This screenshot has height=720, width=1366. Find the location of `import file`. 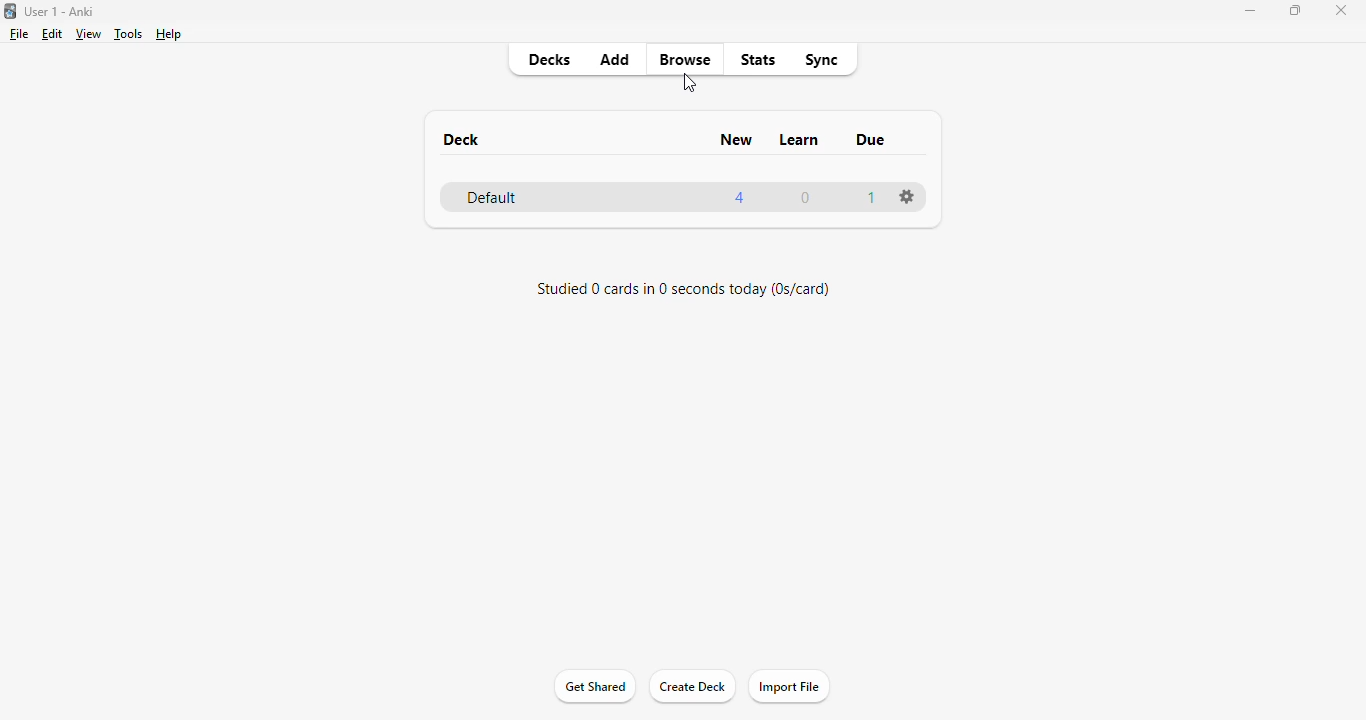

import file is located at coordinates (789, 686).